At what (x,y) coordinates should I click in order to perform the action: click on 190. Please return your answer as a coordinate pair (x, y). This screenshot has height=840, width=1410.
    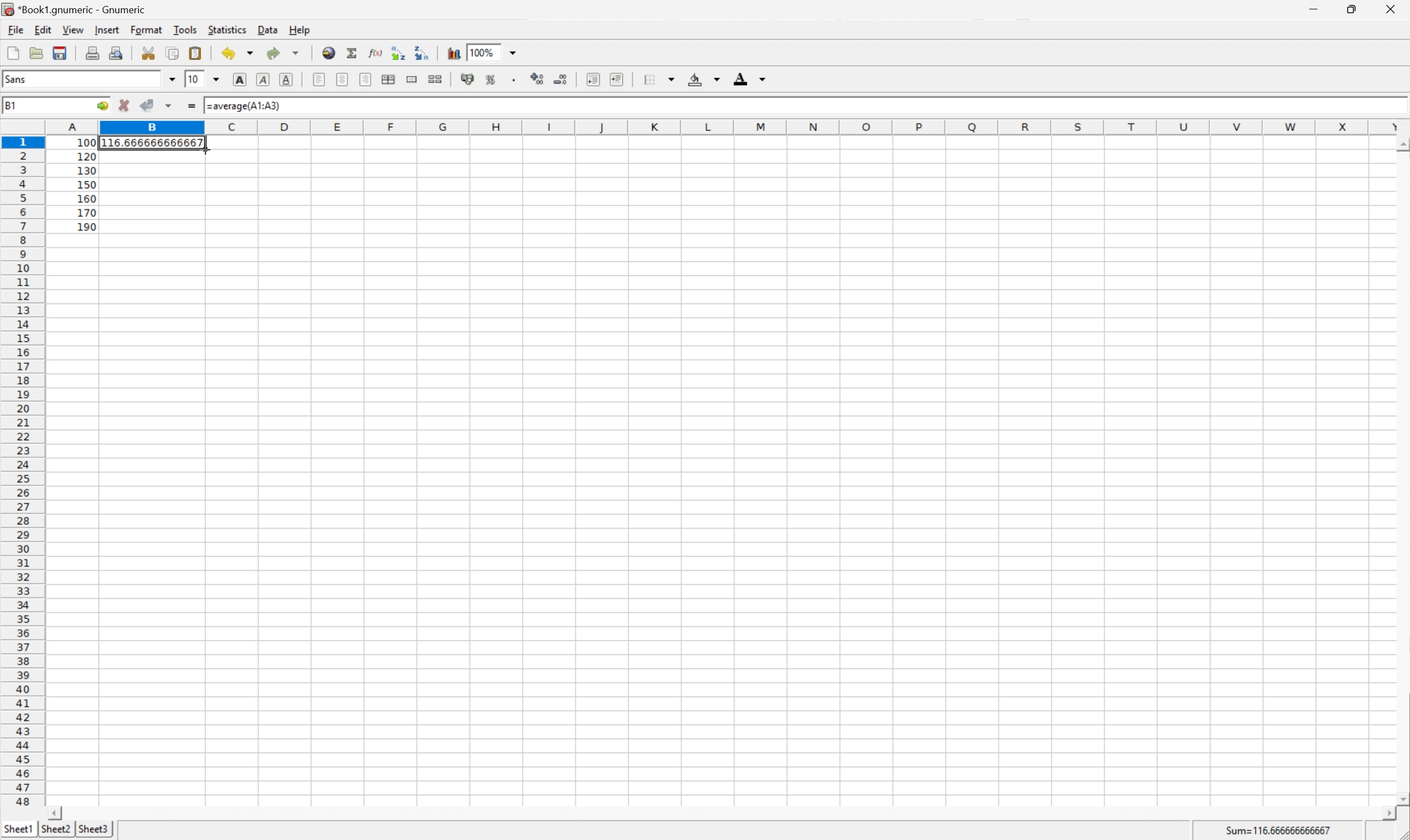
    Looking at the image, I should click on (87, 226).